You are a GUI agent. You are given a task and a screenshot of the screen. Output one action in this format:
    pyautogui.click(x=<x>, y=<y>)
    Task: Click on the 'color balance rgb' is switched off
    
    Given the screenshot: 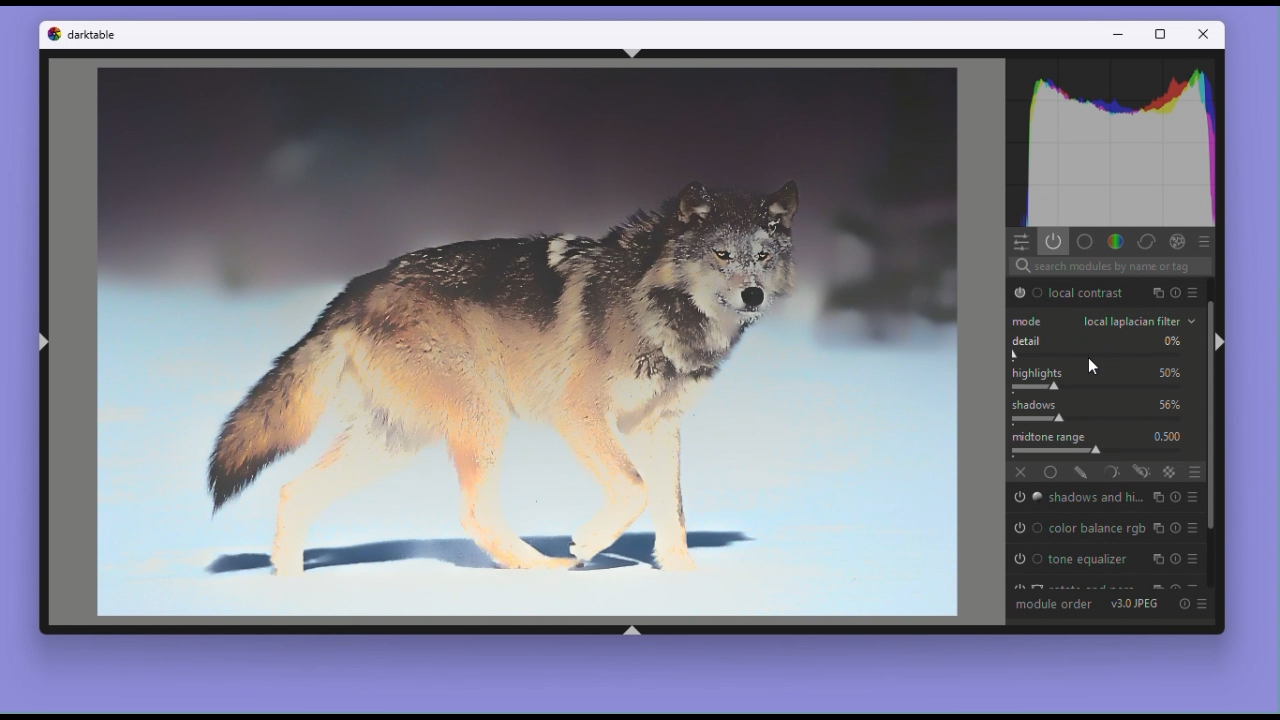 What is the action you would take?
    pyautogui.click(x=1026, y=528)
    